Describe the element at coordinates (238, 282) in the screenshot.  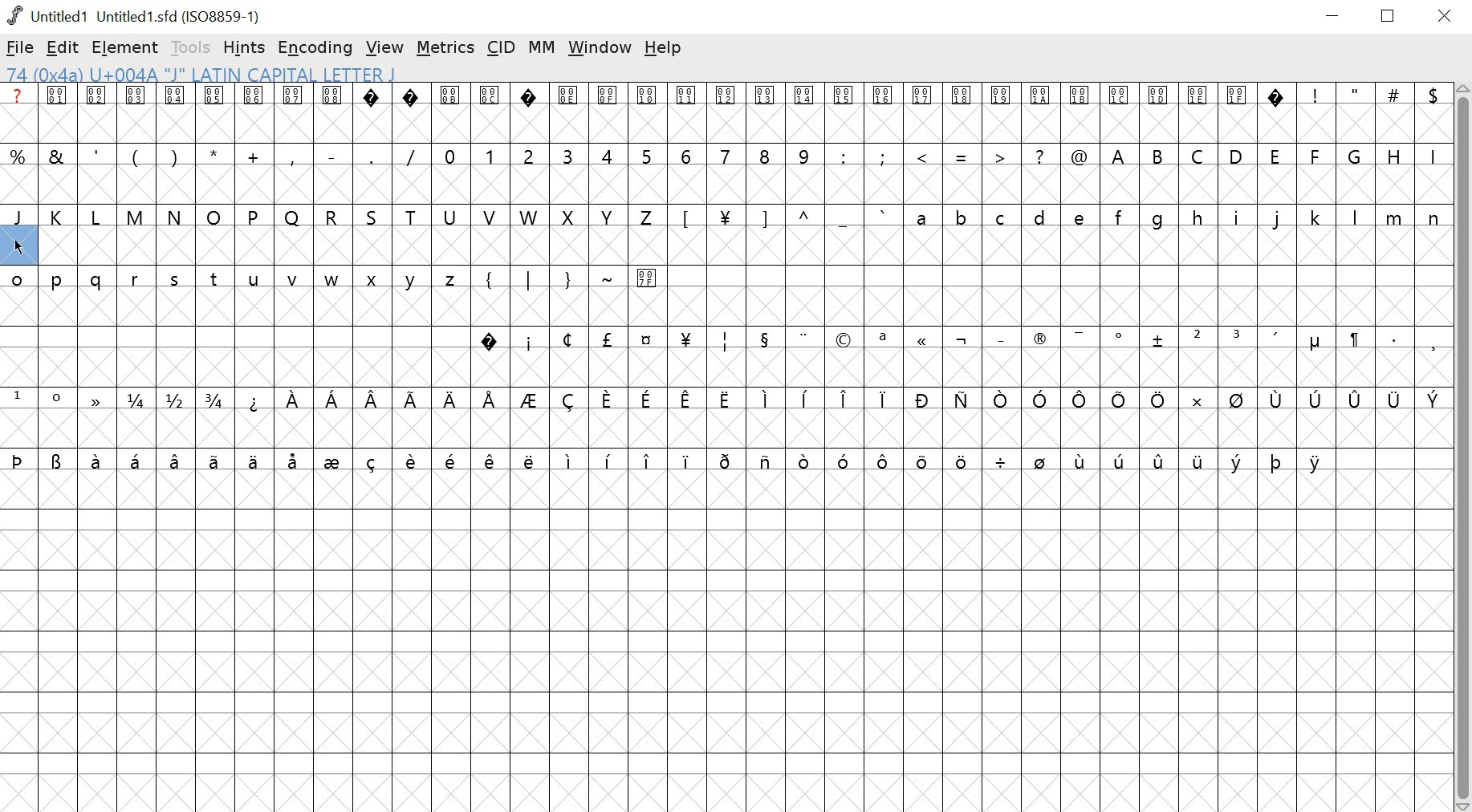
I see `lower case letters` at that location.